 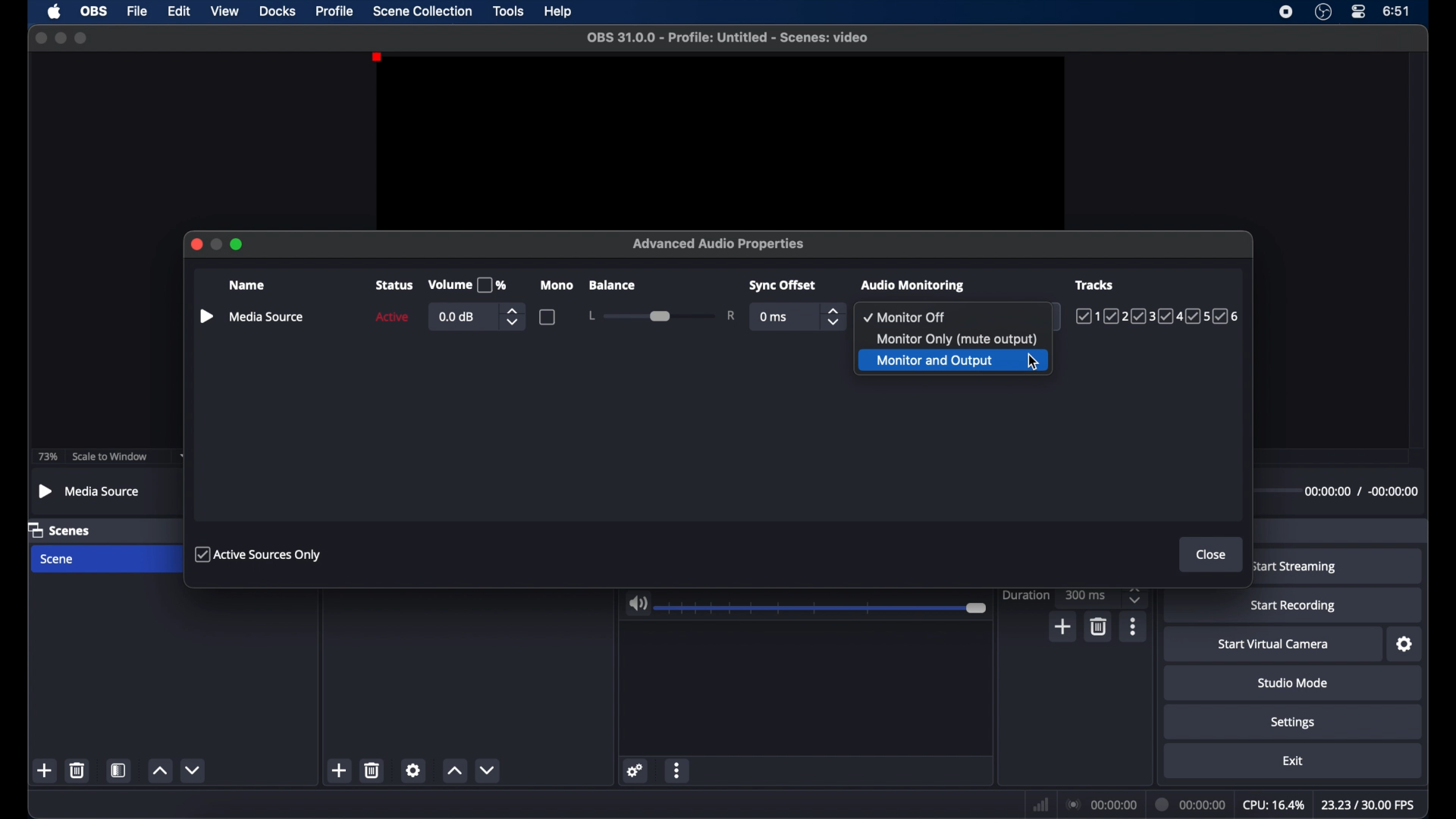 What do you see at coordinates (258, 554) in the screenshot?
I see `active sources only` at bounding box center [258, 554].